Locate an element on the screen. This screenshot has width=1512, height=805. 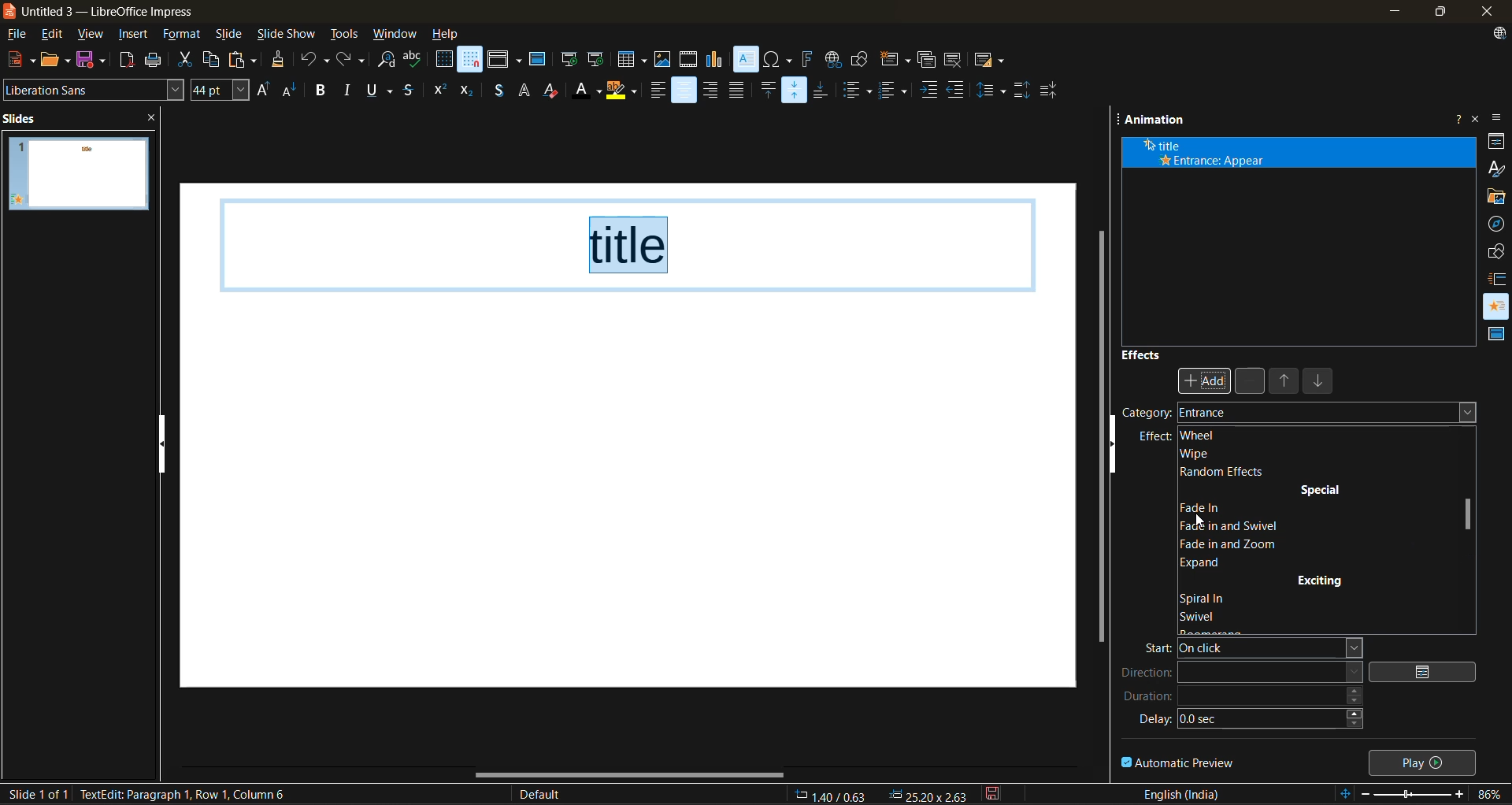
open is located at coordinates (57, 59).